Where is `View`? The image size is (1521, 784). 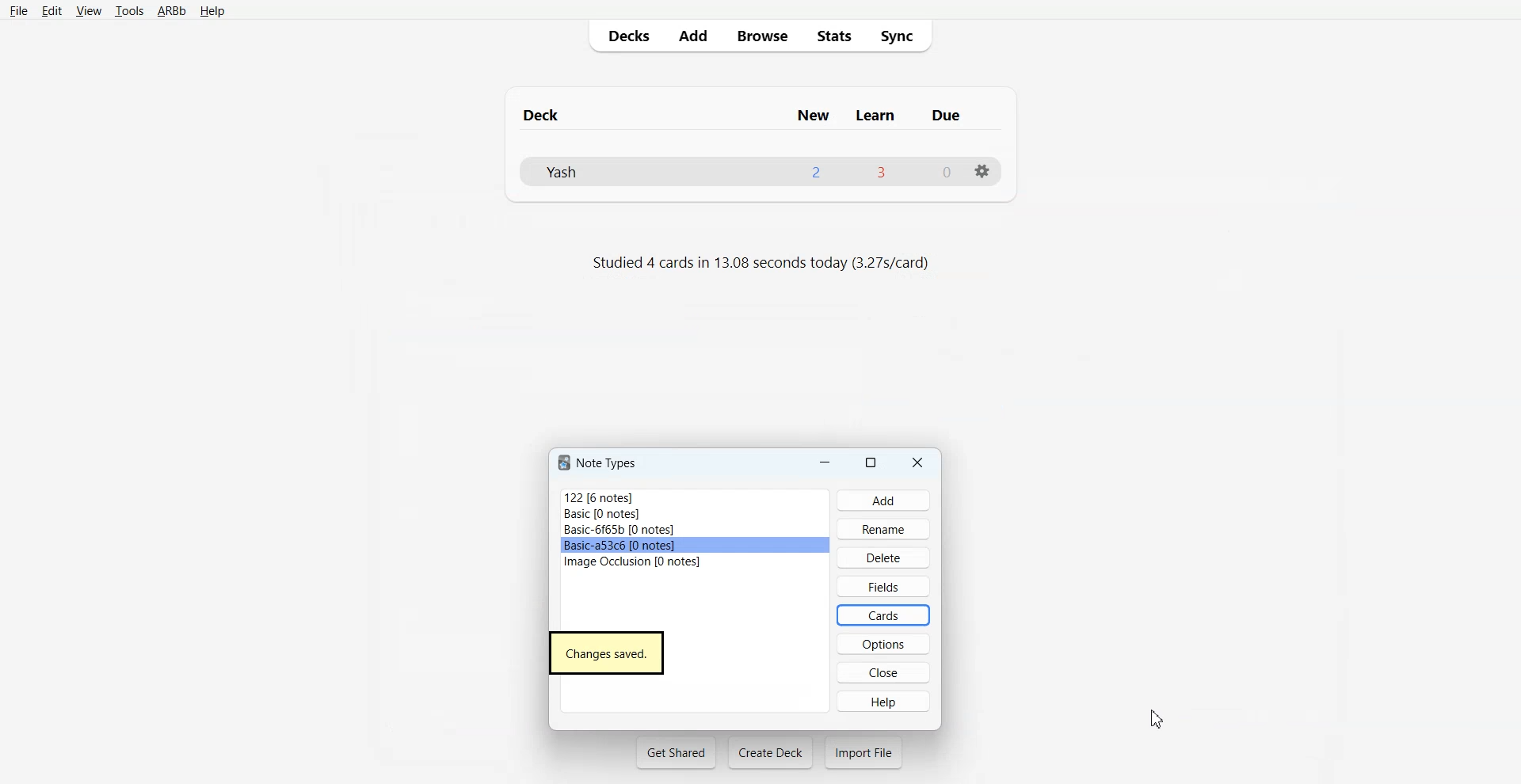 View is located at coordinates (89, 11).